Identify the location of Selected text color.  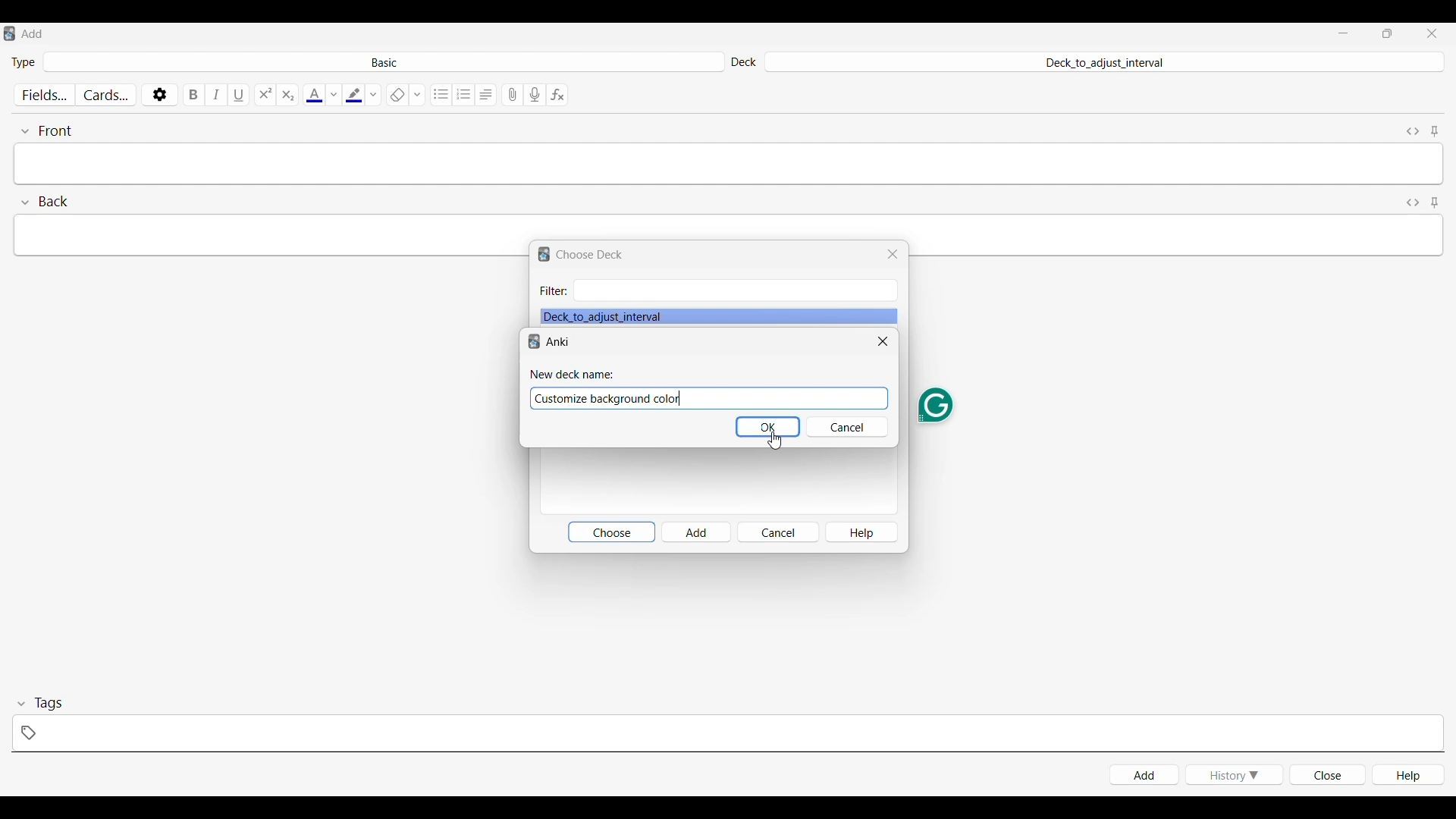
(313, 95).